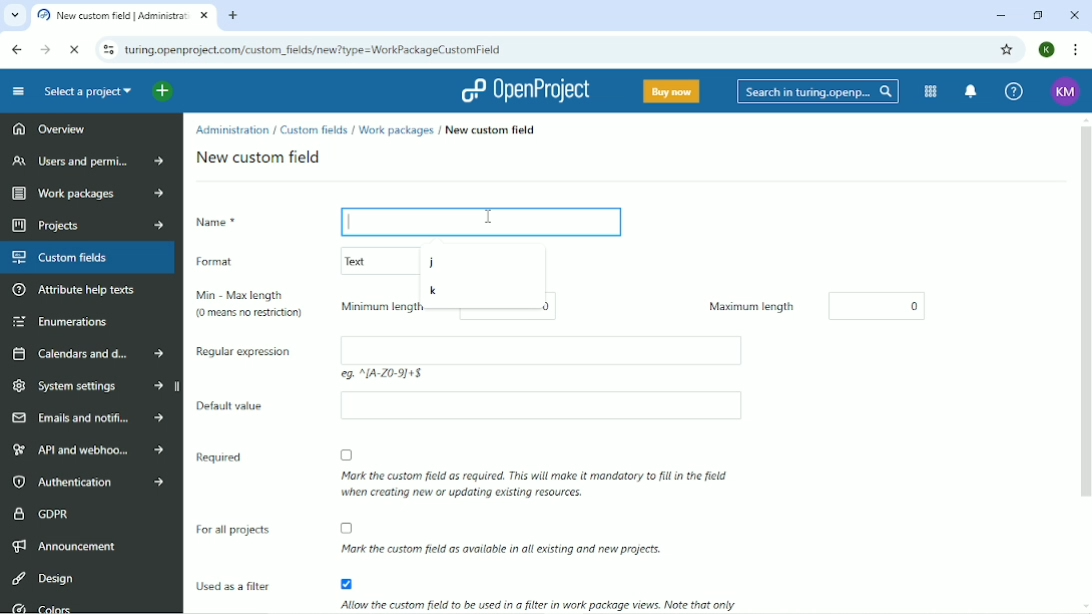 The width and height of the screenshot is (1092, 614). What do you see at coordinates (59, 322) in the screenshot?
I see `Enumerations` at bounding box center [59, 322].